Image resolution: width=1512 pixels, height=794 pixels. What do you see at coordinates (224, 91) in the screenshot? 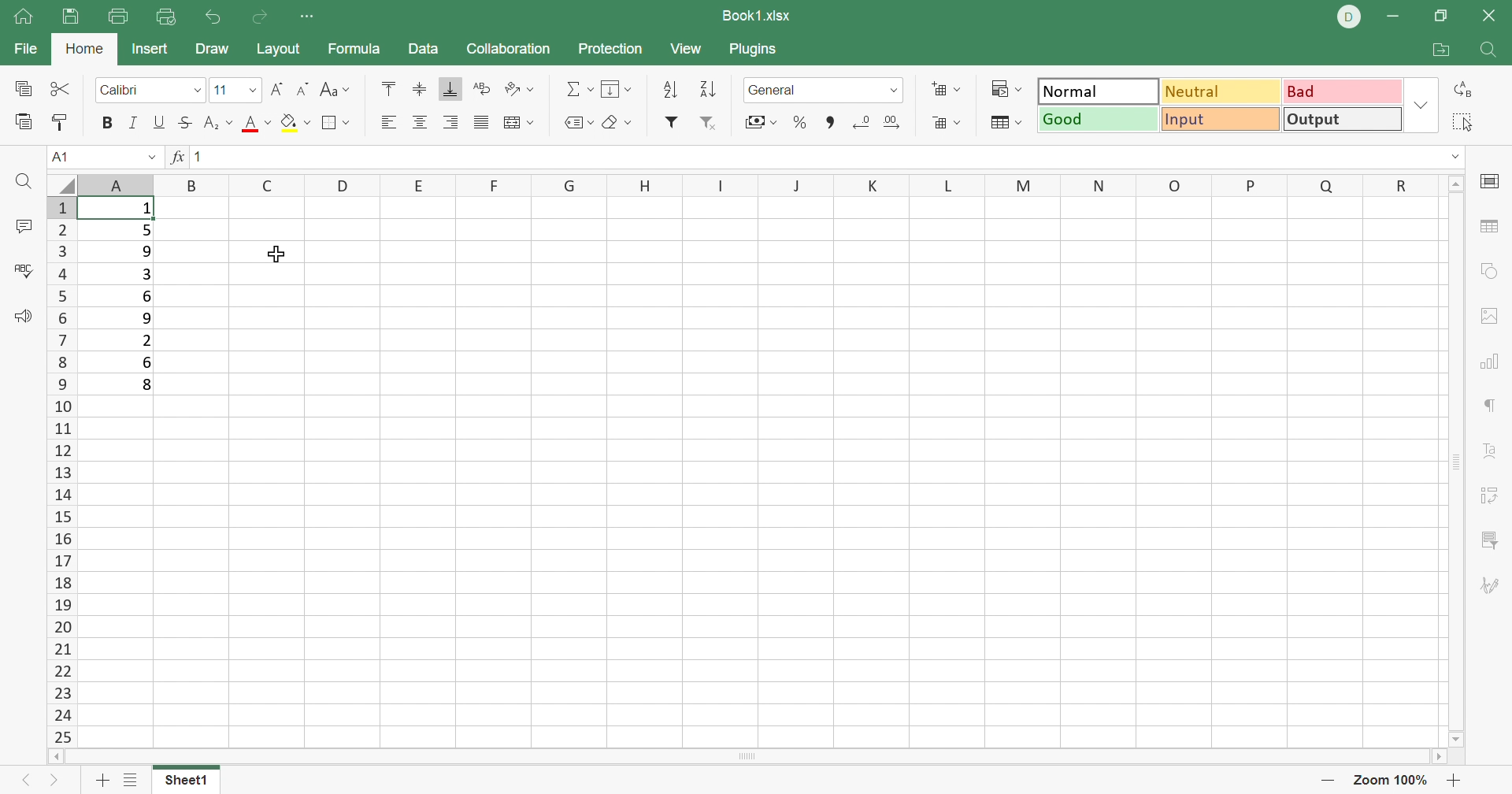
I see `11` at bounding box center [224, 91].